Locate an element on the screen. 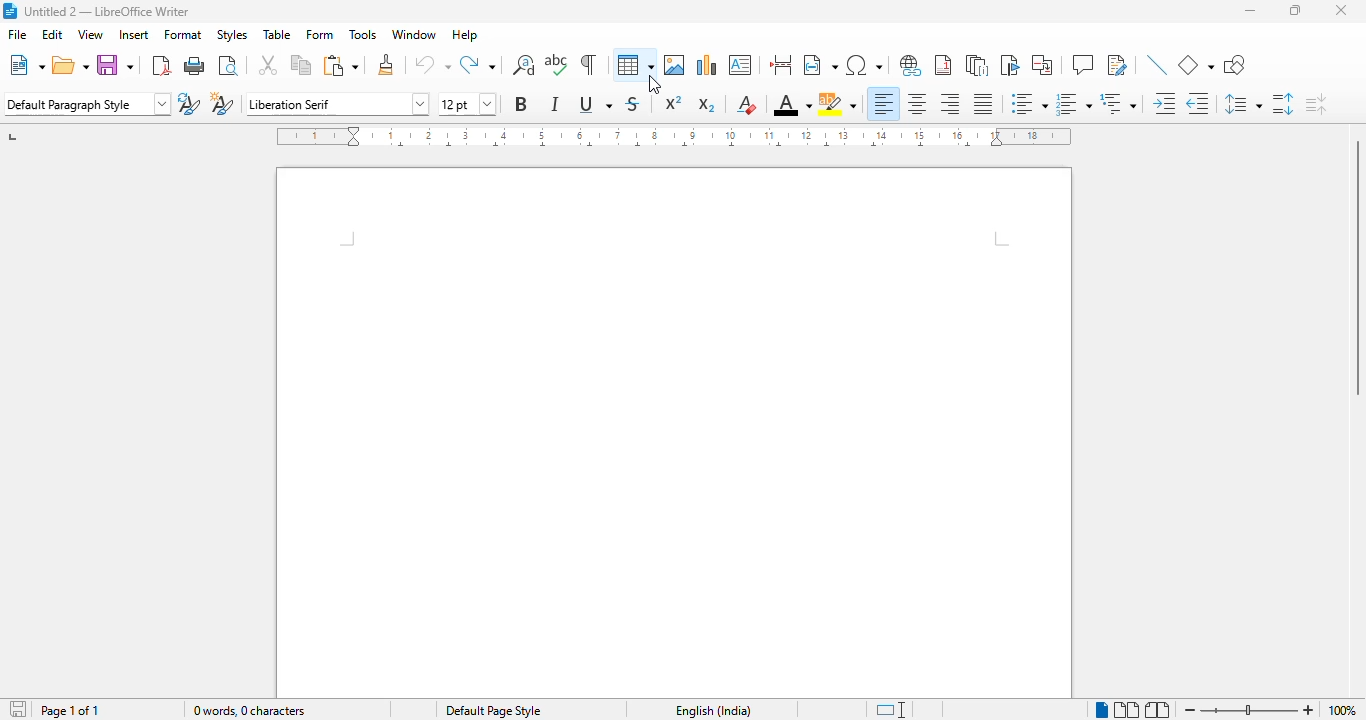 Image resolution: width=1366 pixels, height=720 pixels. font size is located at coordinates (466, 104).